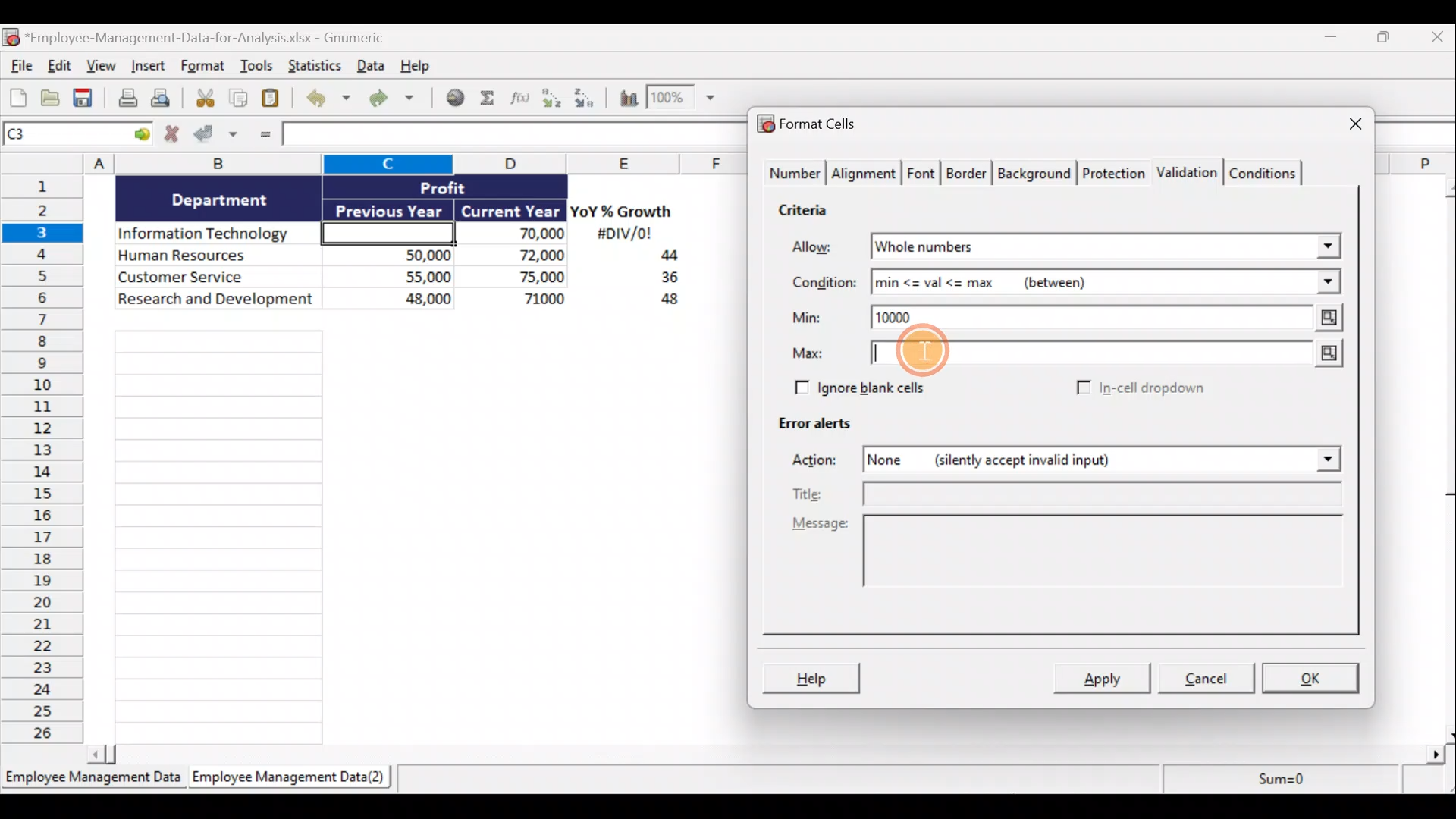  What do you see at coordinates (823, 462) in the screenshot?
I see `Actions` at bounding box center [823, 462].